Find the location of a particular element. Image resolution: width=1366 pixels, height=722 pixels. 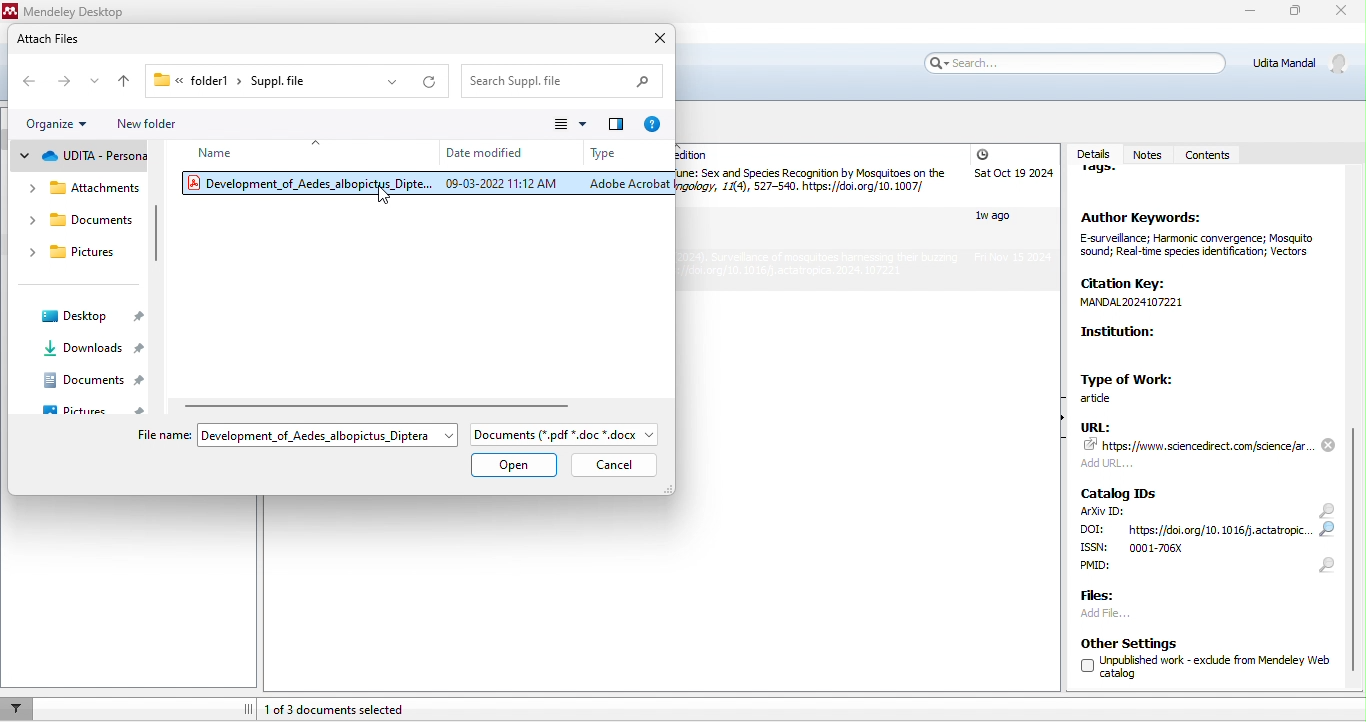

ArXiv ID is located at coordinates (1102, 512).